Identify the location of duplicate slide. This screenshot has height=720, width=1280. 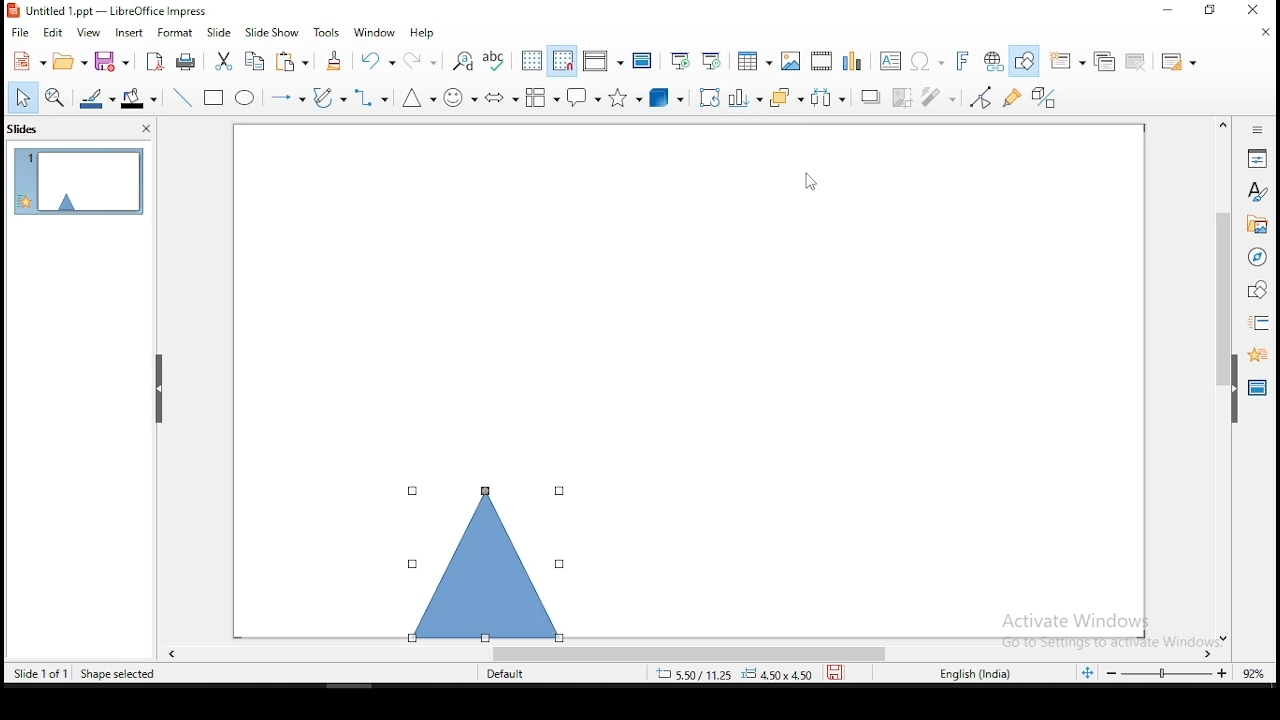
(1104, 58).